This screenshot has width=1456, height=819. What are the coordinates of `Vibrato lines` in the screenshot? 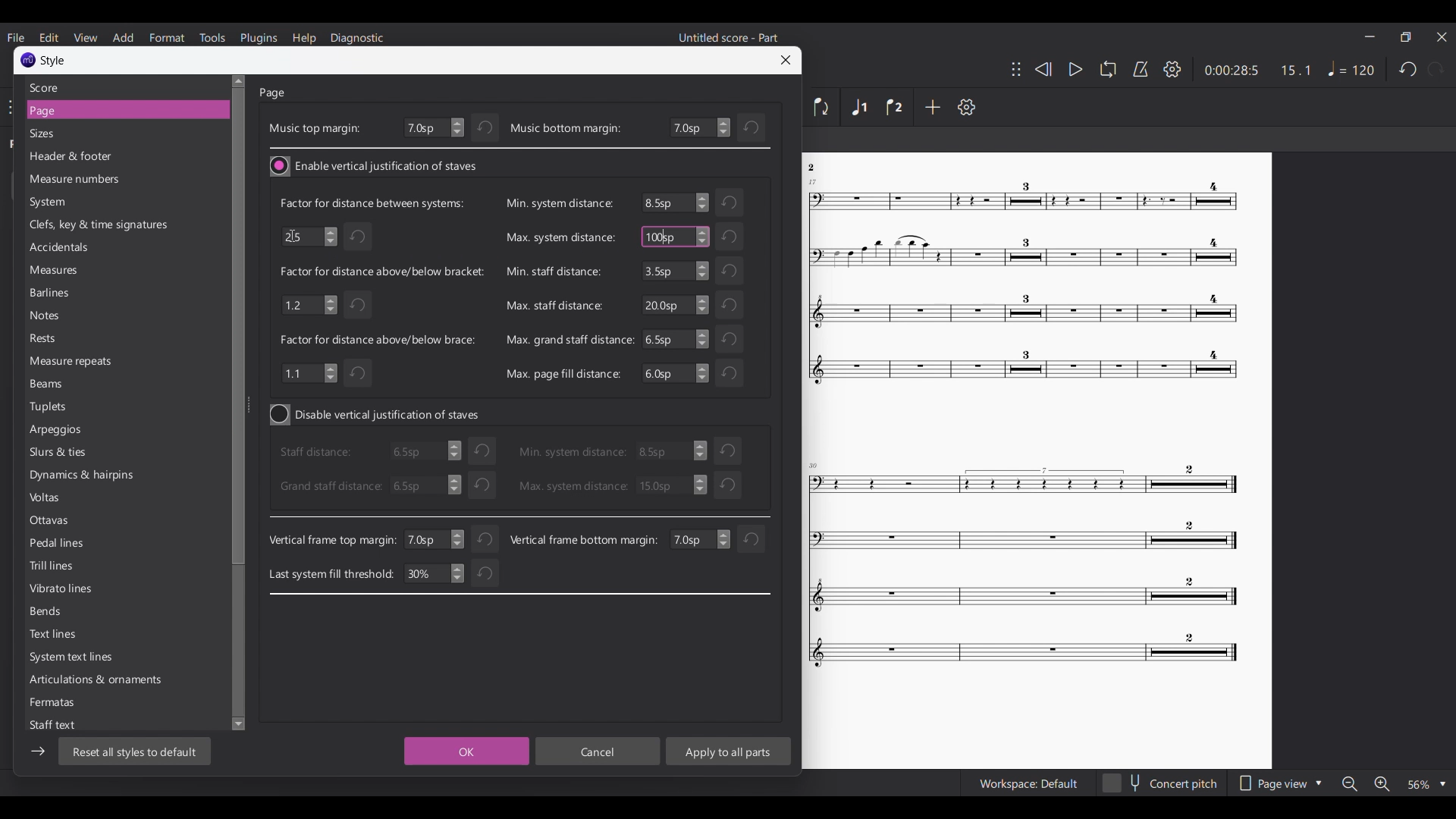 It's located at (82, 591).